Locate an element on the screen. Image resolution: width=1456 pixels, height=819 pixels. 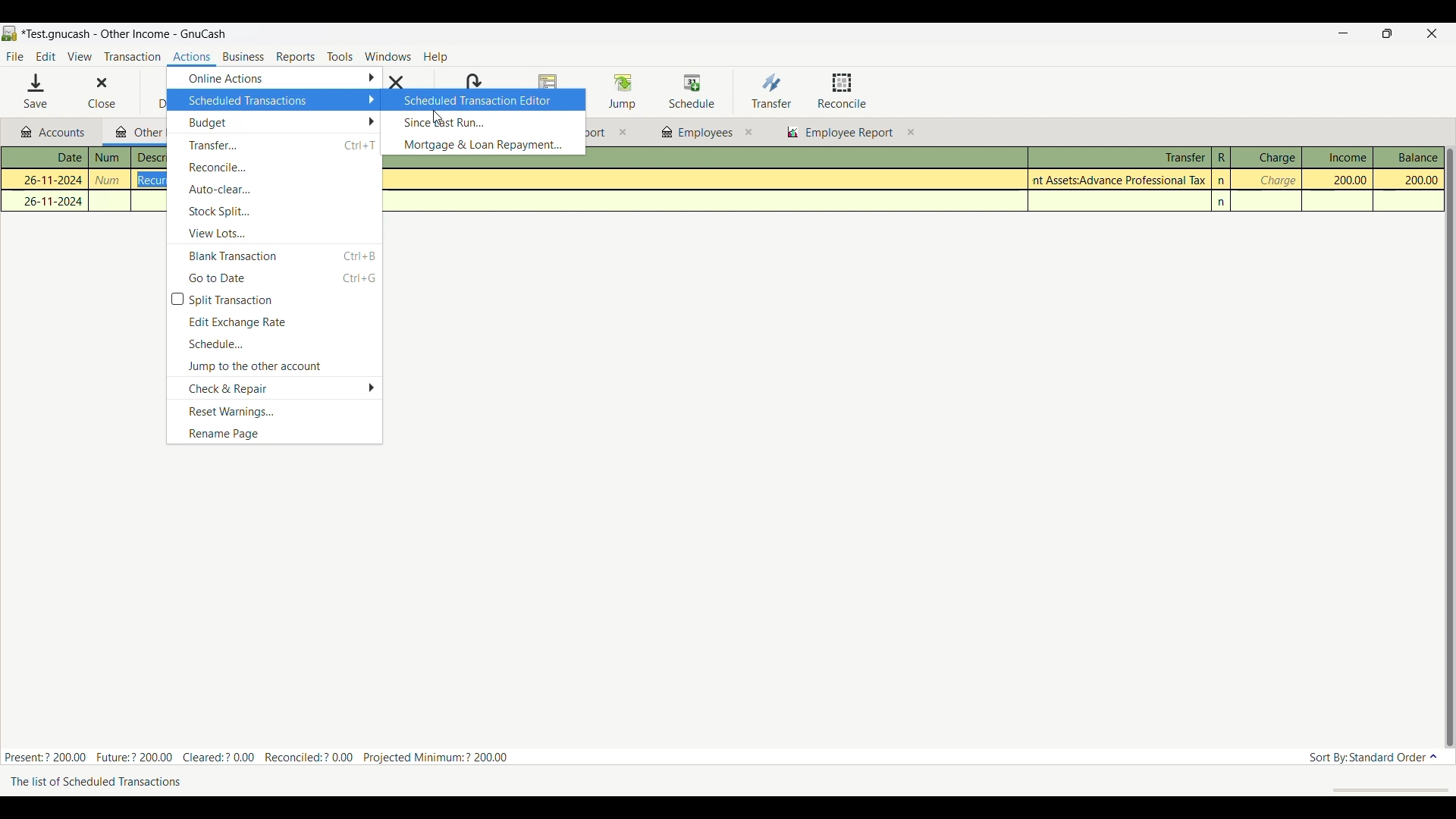
Assets:Advance Professional Tax is located at coordinates (1122, 180).